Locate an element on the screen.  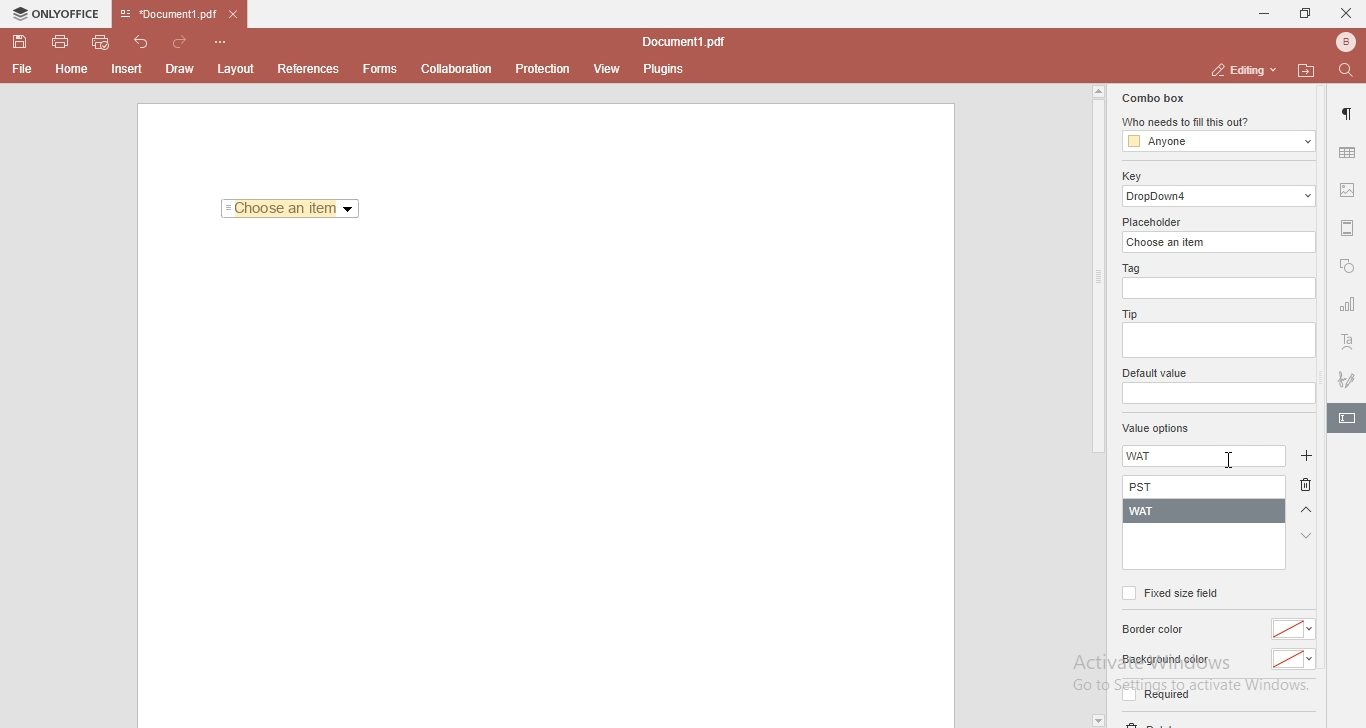
key is located at coordinates (1131, 176).